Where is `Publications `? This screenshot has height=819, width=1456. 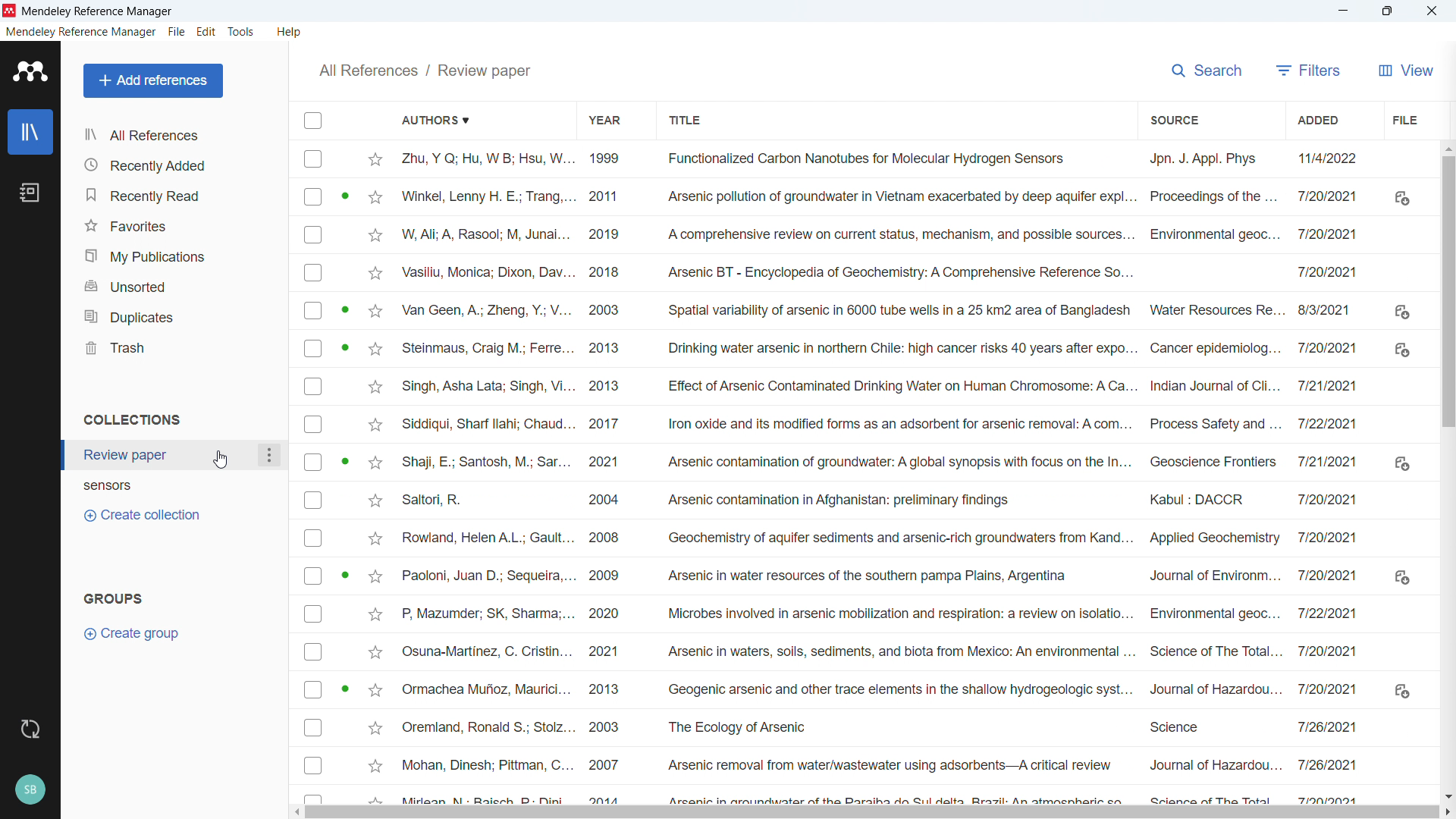 Publications  is located at coordinates (177, 256).